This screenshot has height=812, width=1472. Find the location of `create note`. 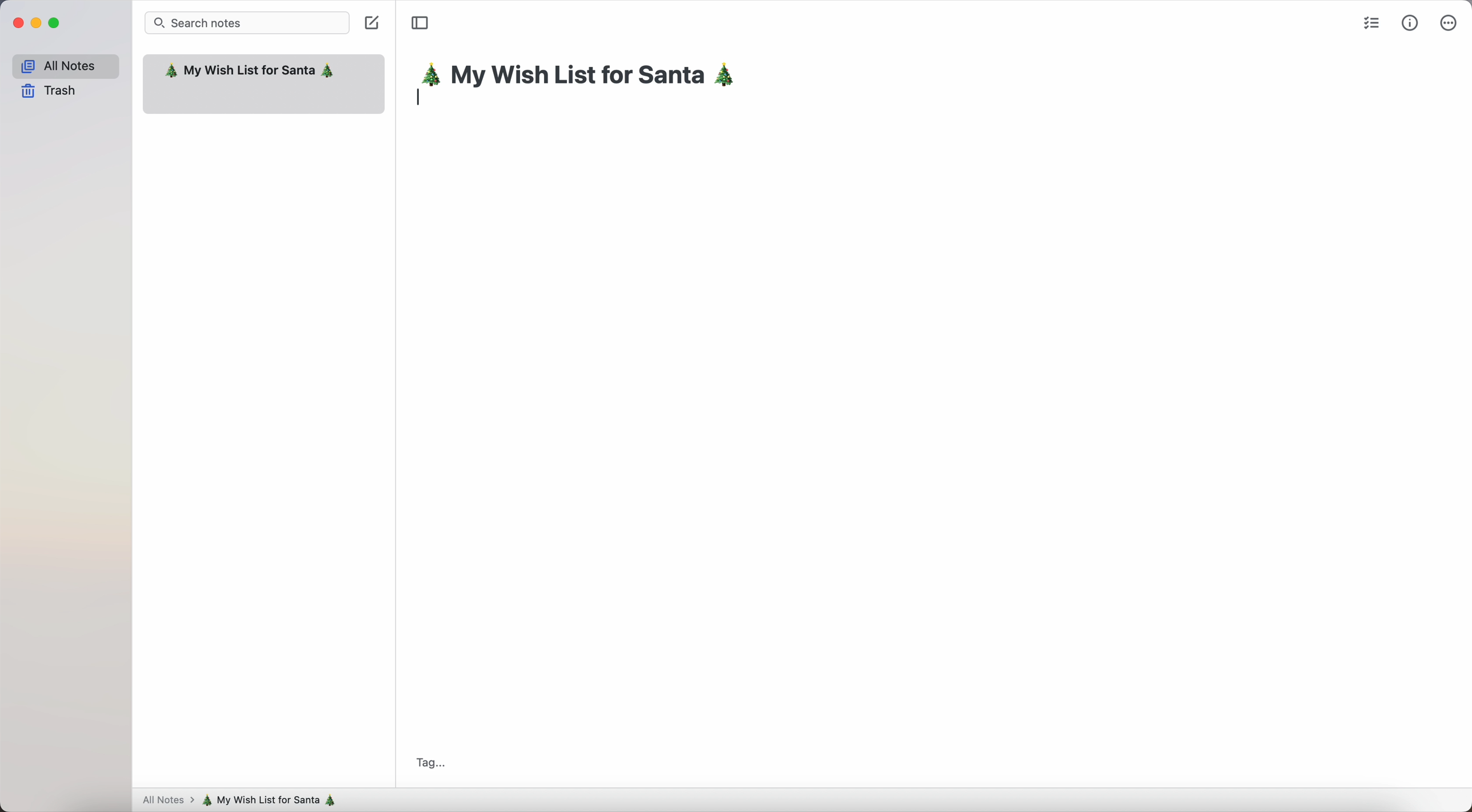

create note is located at coordinates (374, 25).